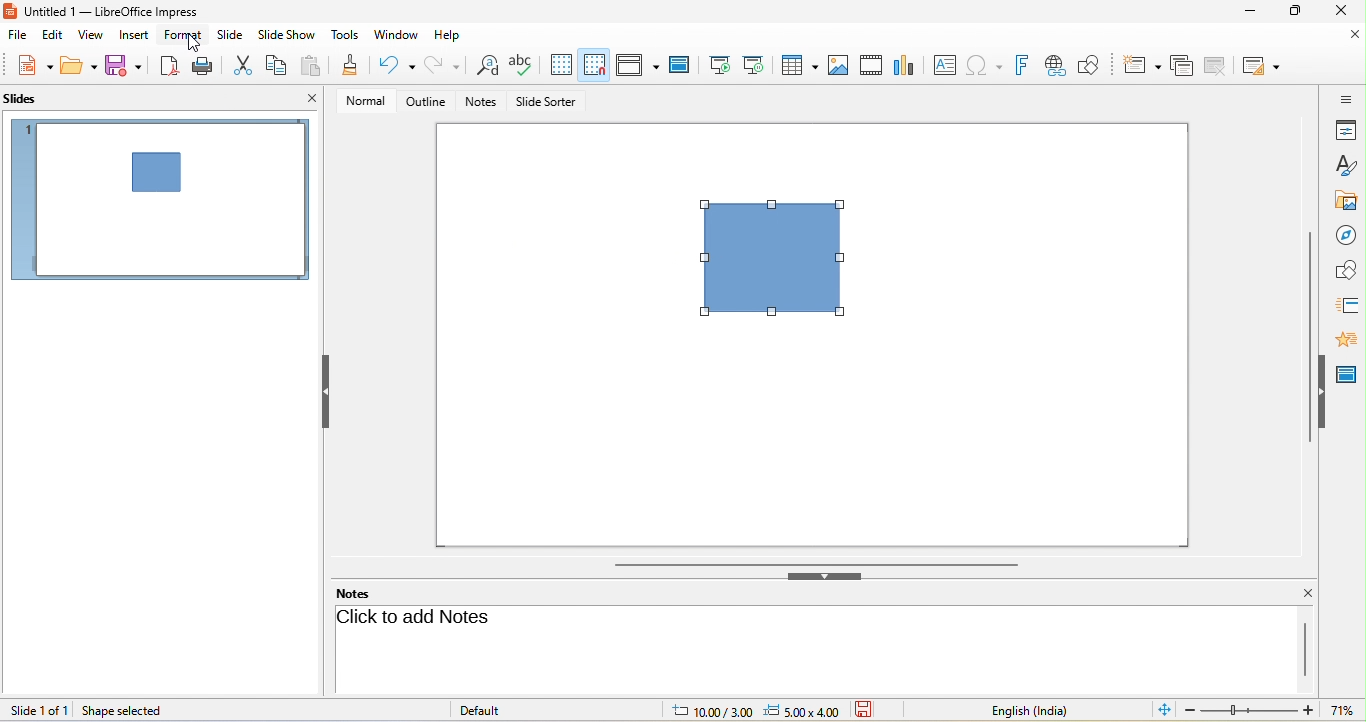 This screenshot has width=1366, height=722. I want to click on help, so click(455, 36).